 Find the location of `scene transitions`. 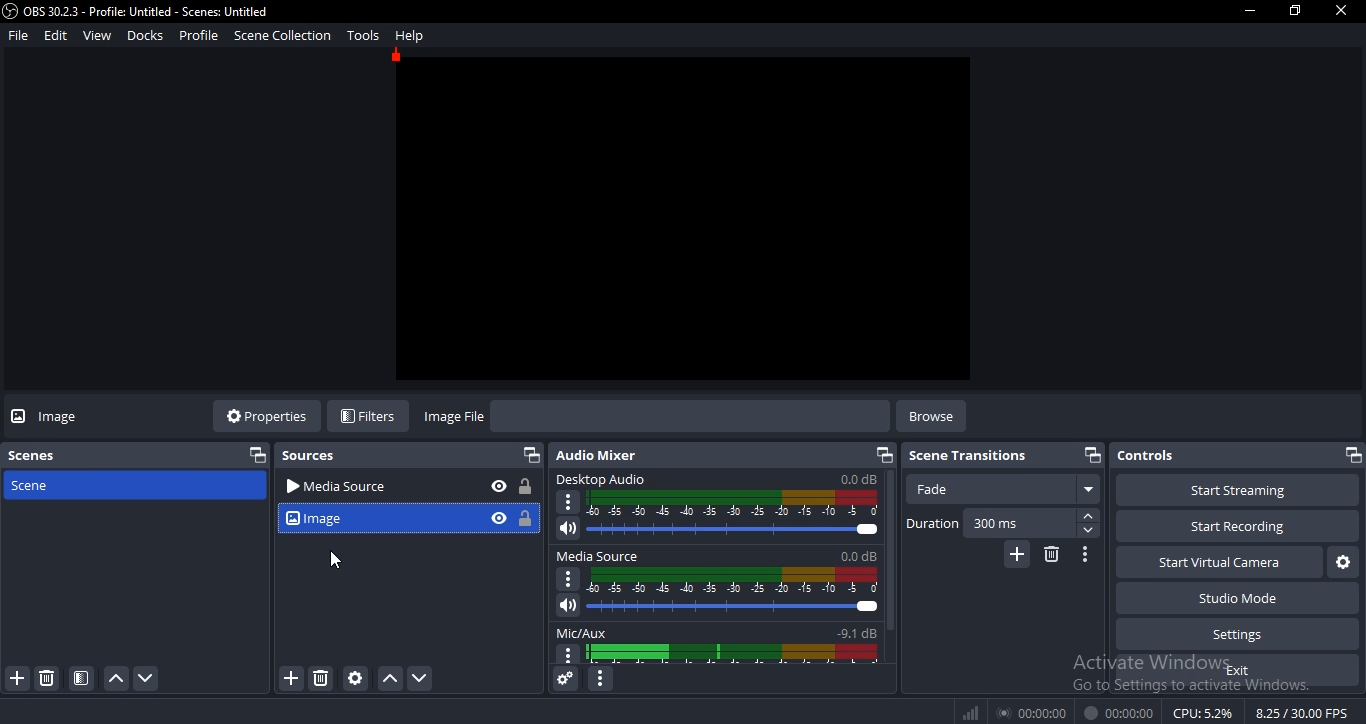

scene transitions is located at coordinates (969, 456).